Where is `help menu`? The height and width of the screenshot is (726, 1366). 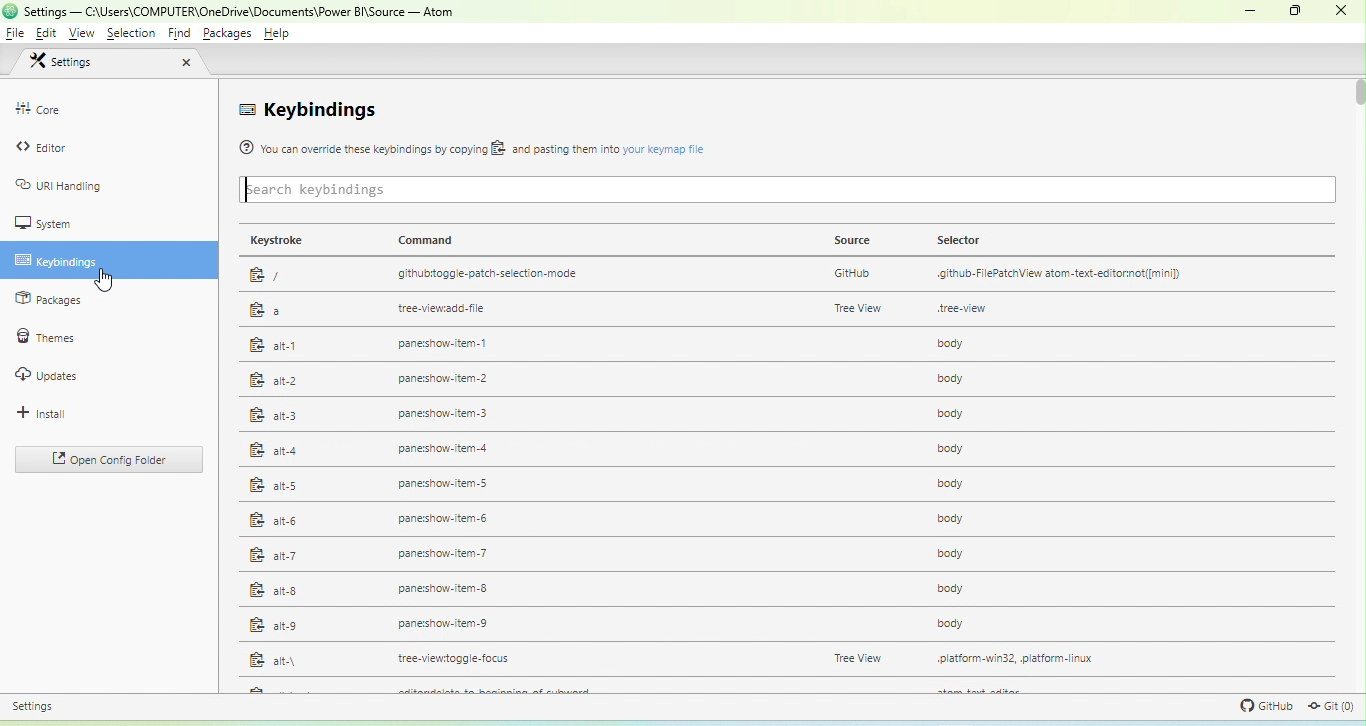
help menu is located at coordinates (276, 33).